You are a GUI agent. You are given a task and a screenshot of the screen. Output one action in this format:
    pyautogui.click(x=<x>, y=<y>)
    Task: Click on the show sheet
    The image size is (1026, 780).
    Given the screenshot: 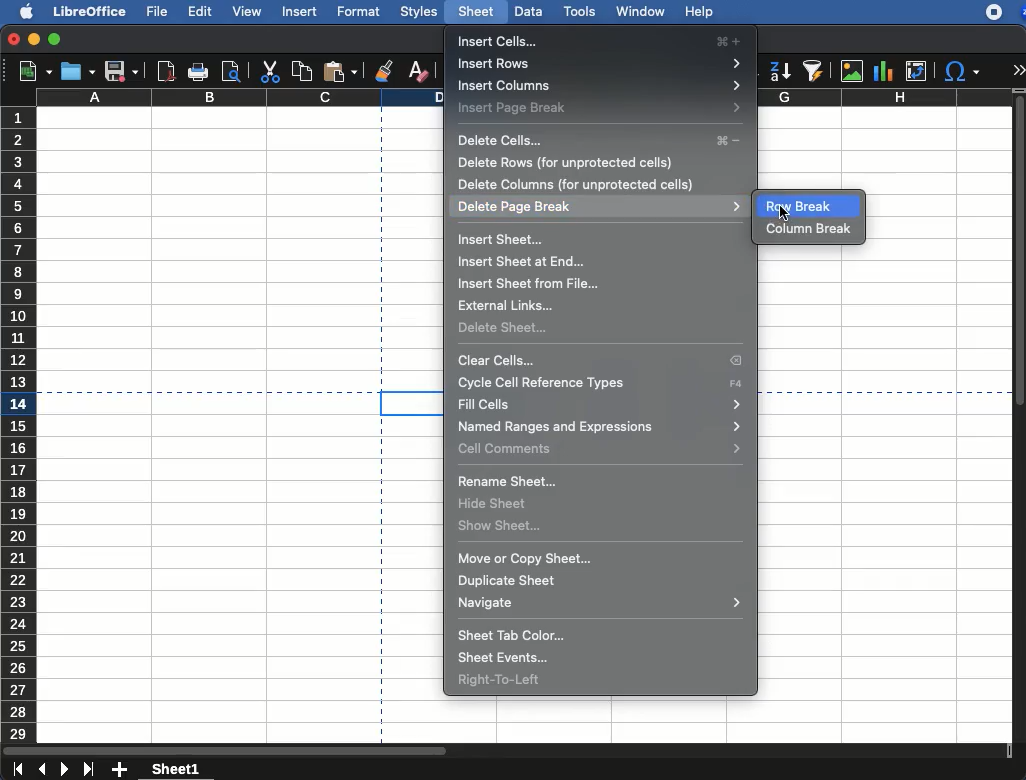 What is the action you would take?
    pyautogui.click(x=501, y=526)
    